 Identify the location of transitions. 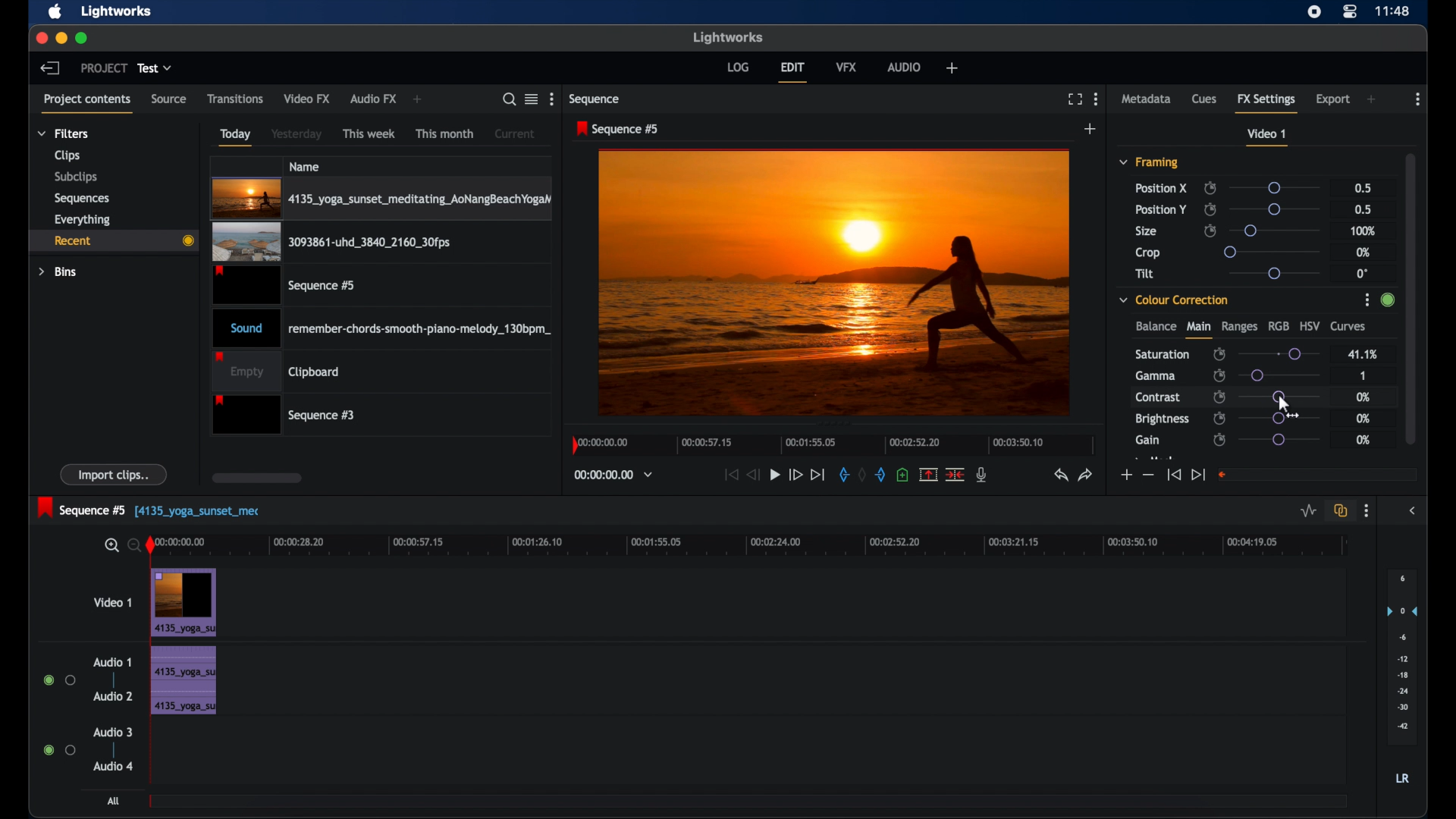
(235, 98).